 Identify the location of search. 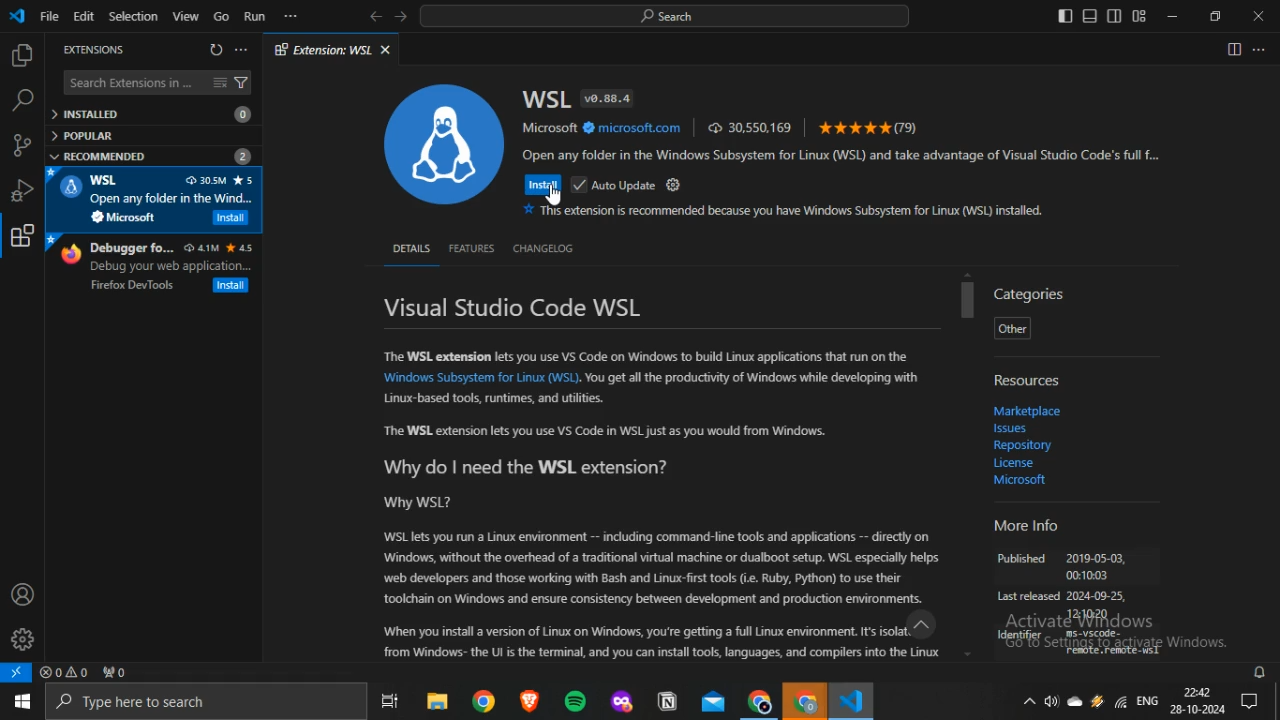
(22, 101).